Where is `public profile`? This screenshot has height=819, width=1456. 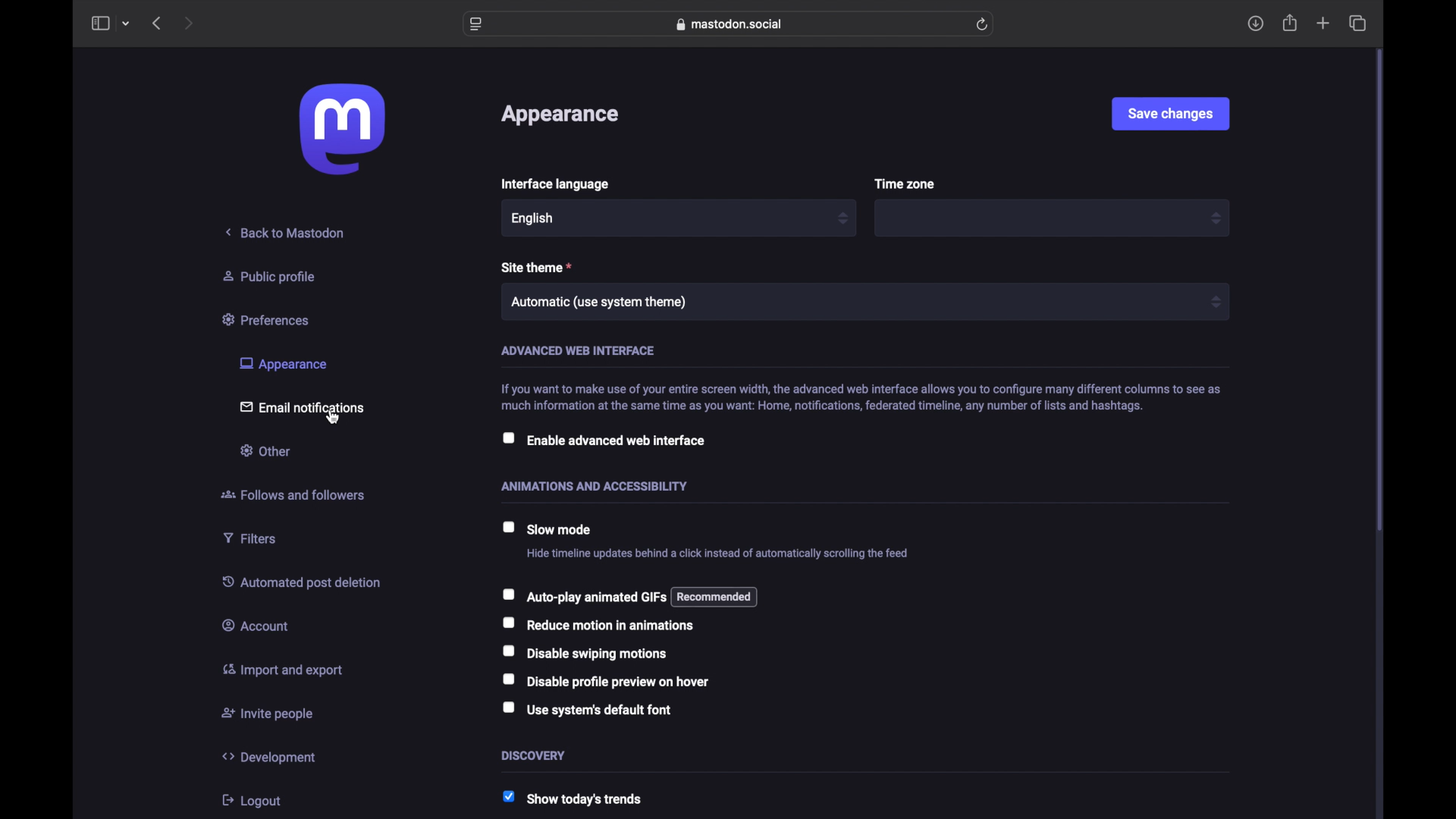 public profile is located at coordinates (269, 276).